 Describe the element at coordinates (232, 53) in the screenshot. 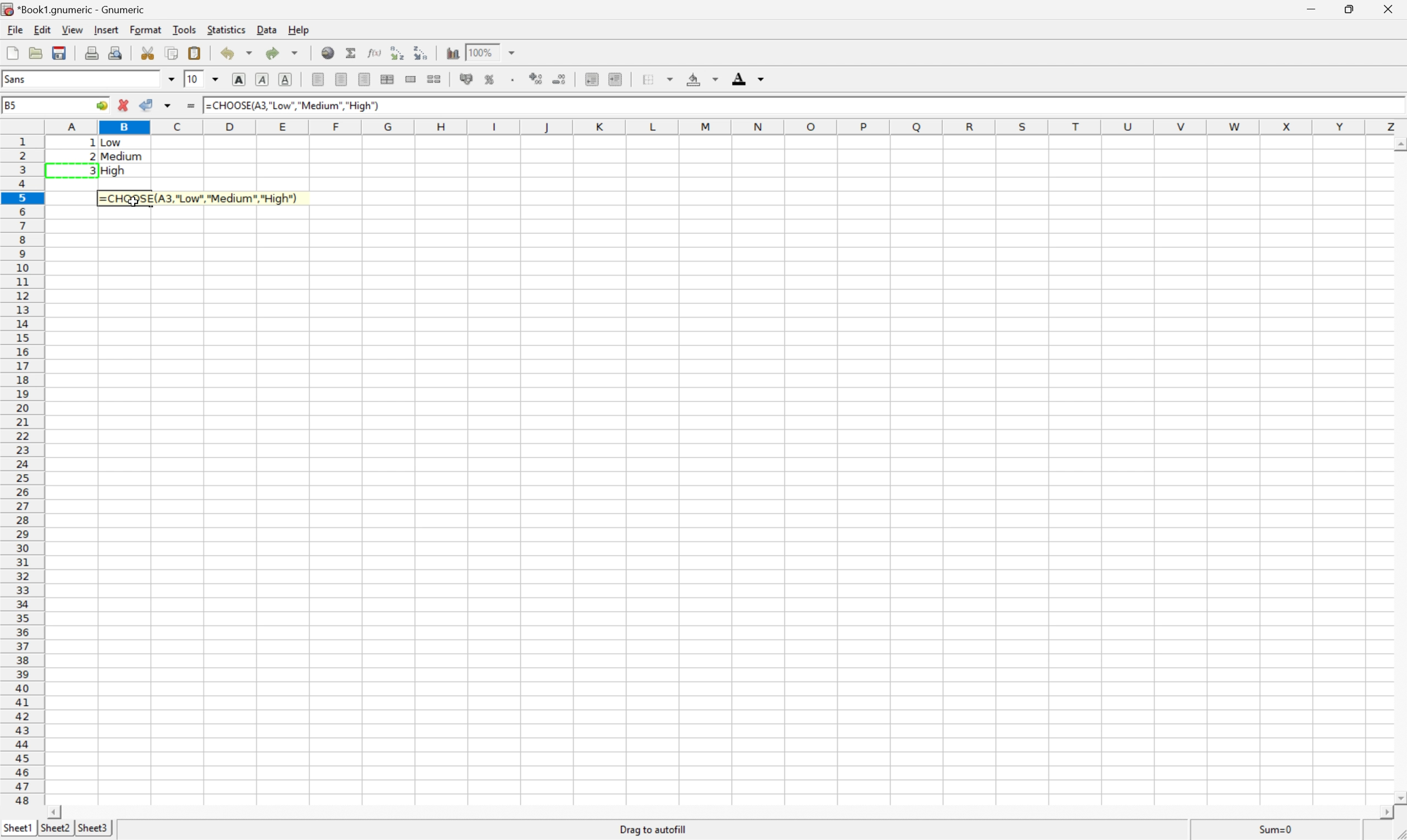

I see `Undo` at that location.